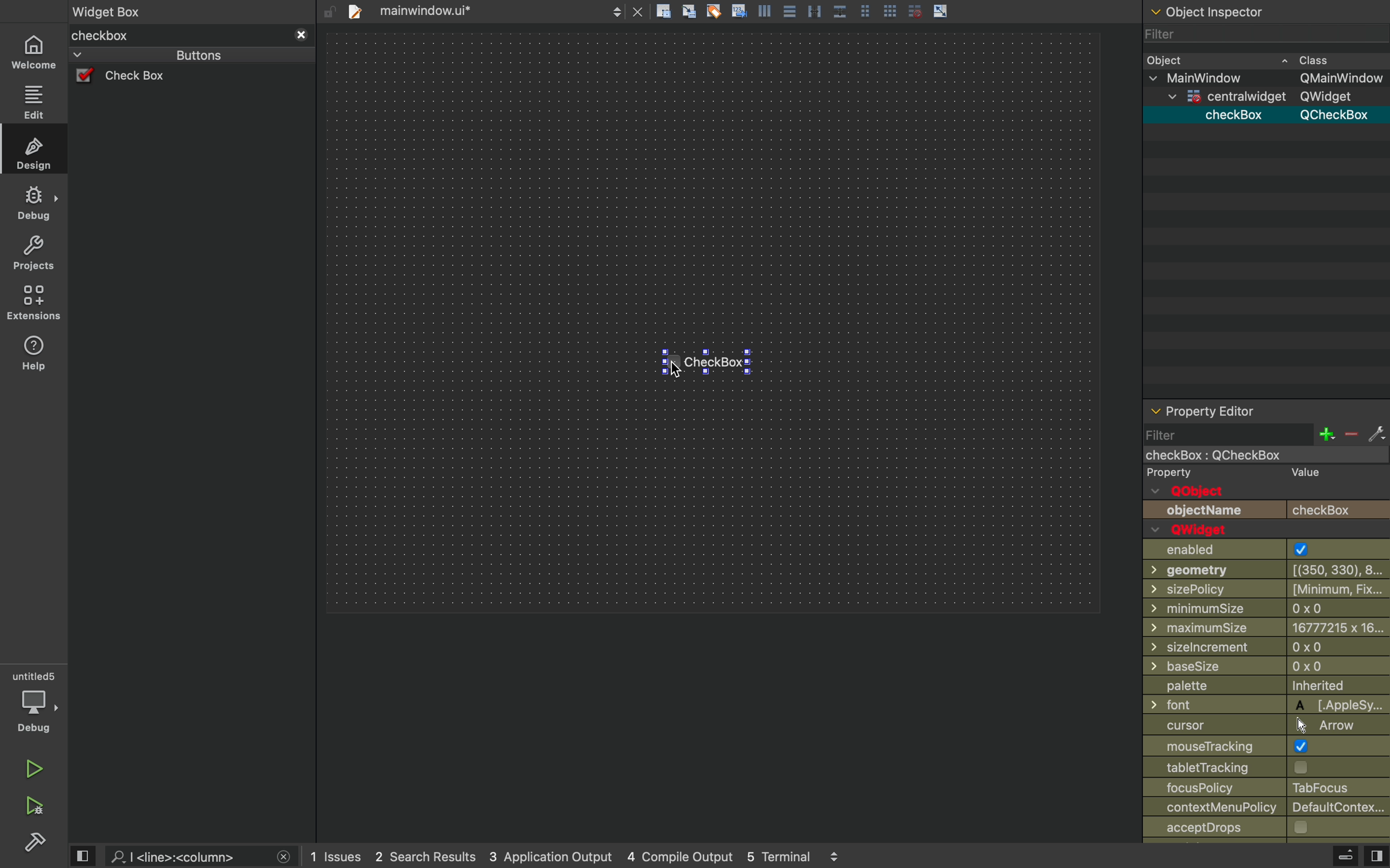  What do you see at coordinates (33, 203) in the screenshot?
I see `debug` at bounding box center [33, 203].